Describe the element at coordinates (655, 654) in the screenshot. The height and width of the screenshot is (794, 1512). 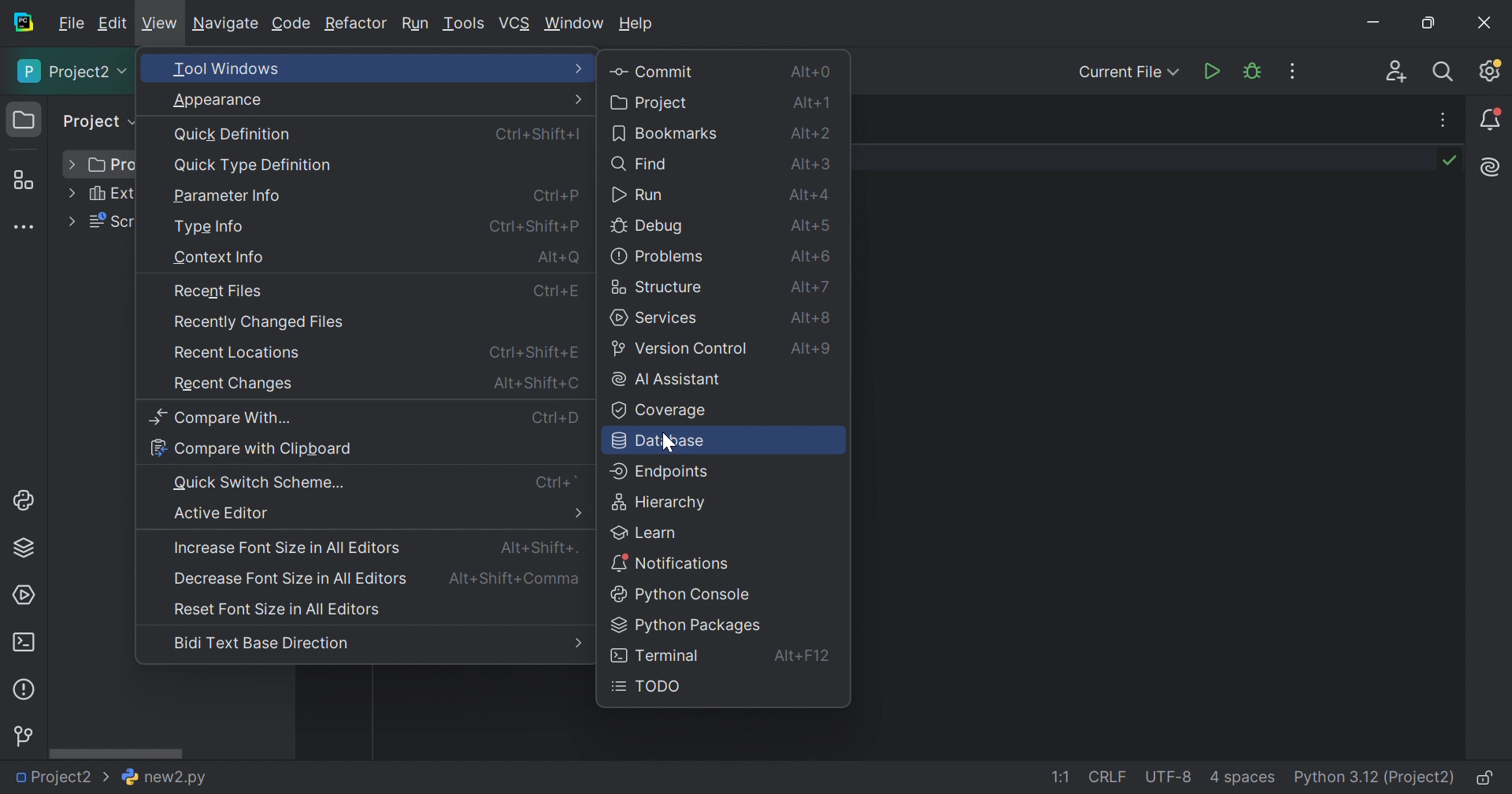
I see `Terminal` at that location.